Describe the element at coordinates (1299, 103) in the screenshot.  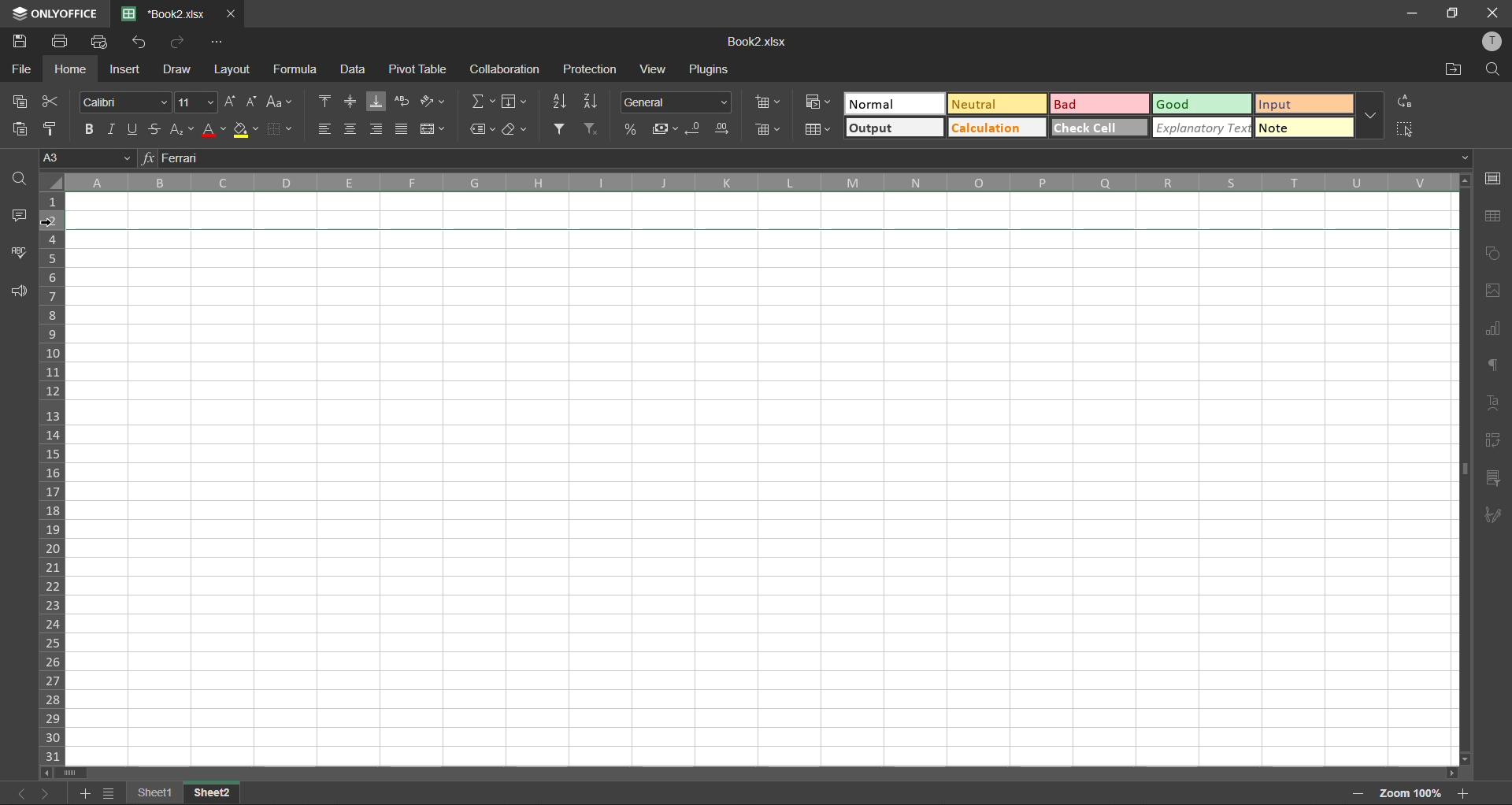
I see `input` at that location.